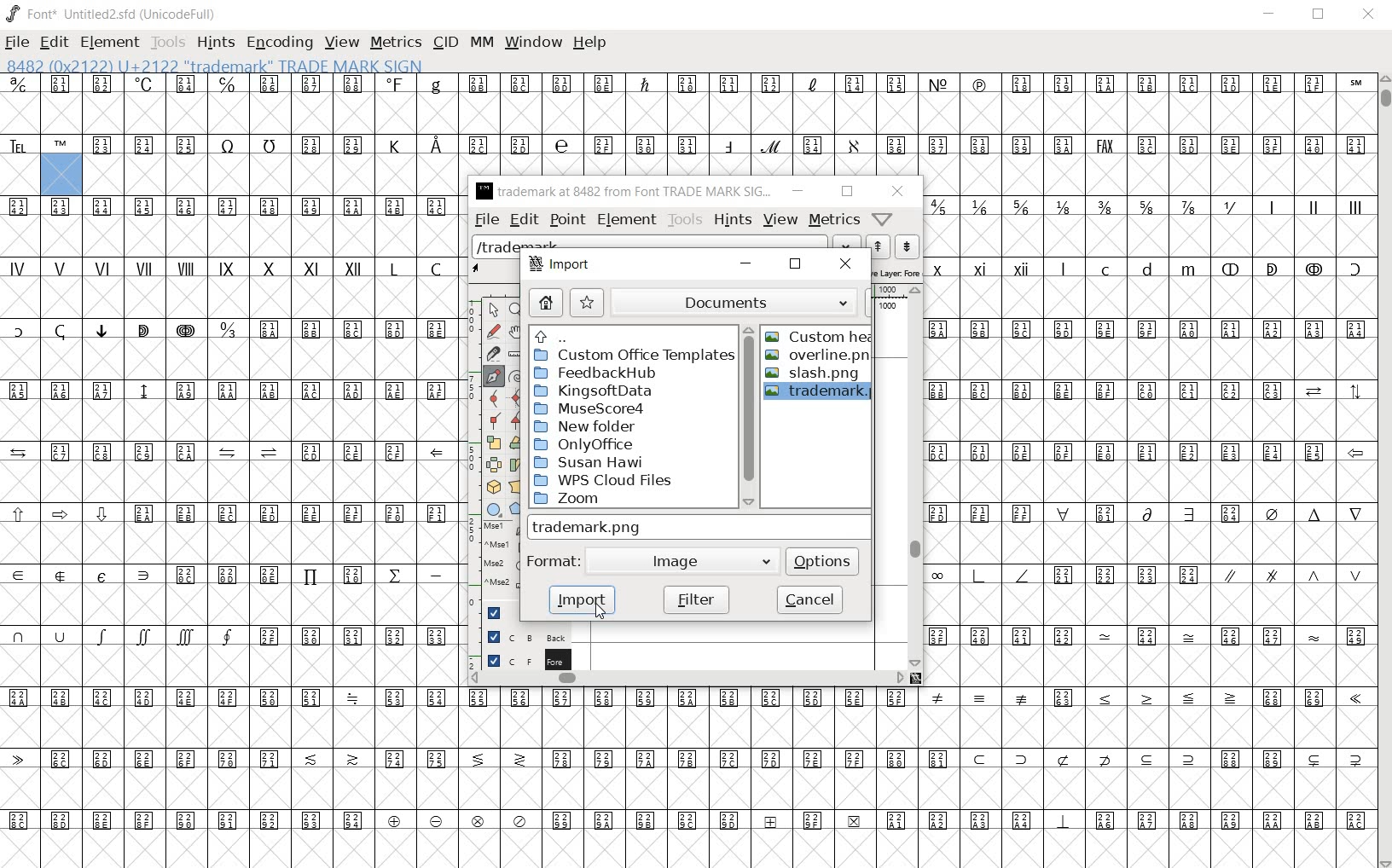 The height and width of the screenshot is (868, 1392). What do you see at coordinates (212, 66) in the screenshot?
I see `8482 (0x2122) U+2122 "trademark" Trade Mark Sign` at bounding box center [212, 66].